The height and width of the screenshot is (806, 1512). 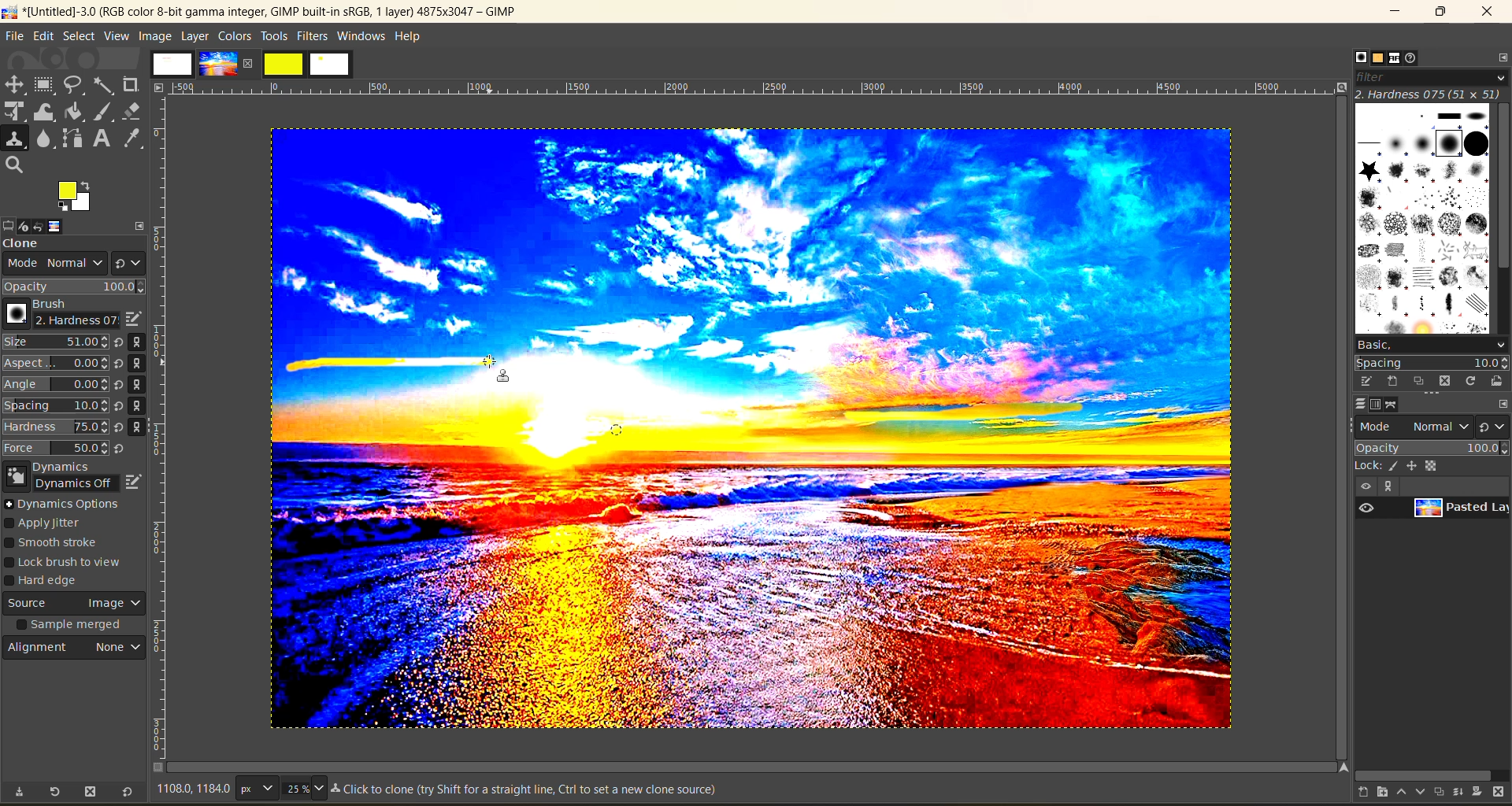 What do you see at coordinates (54, 343) in the screenshot?
I see `Size 51.00` at bounding box center [54, 343].